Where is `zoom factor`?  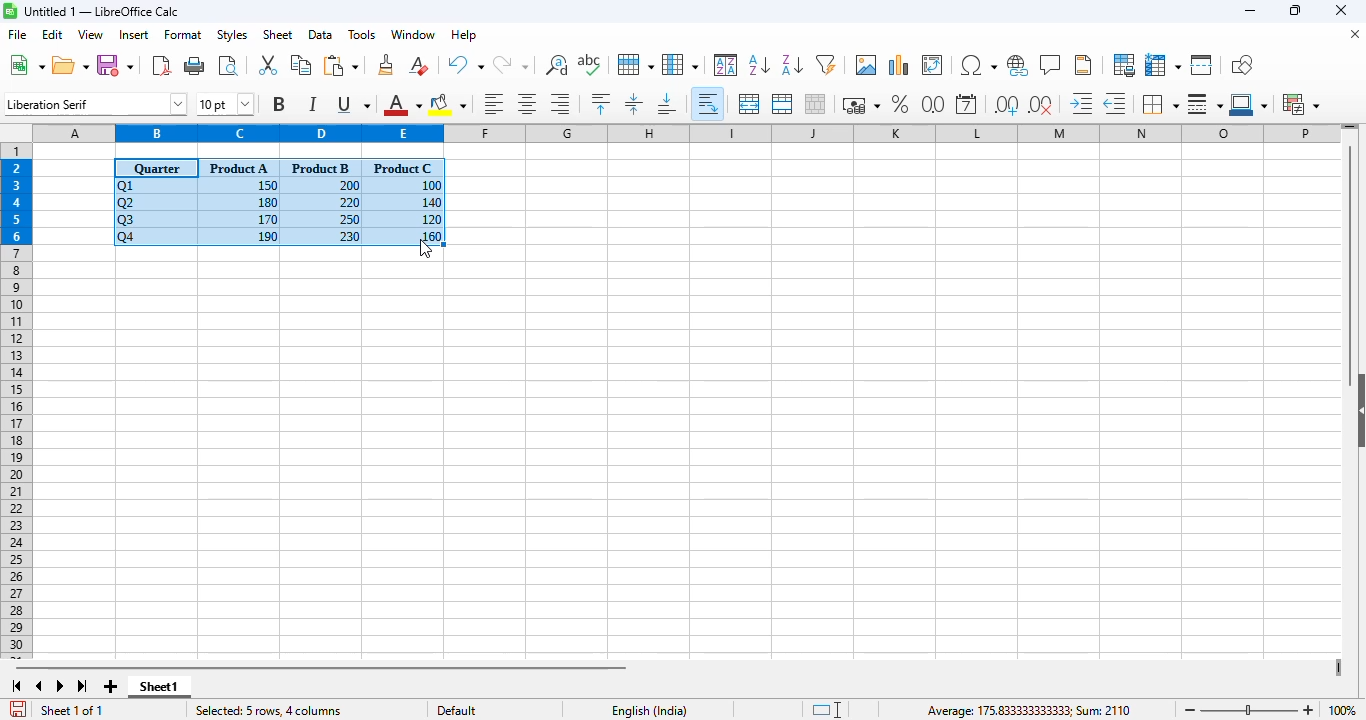 zoom factor is located at coordinates (1341, 710).